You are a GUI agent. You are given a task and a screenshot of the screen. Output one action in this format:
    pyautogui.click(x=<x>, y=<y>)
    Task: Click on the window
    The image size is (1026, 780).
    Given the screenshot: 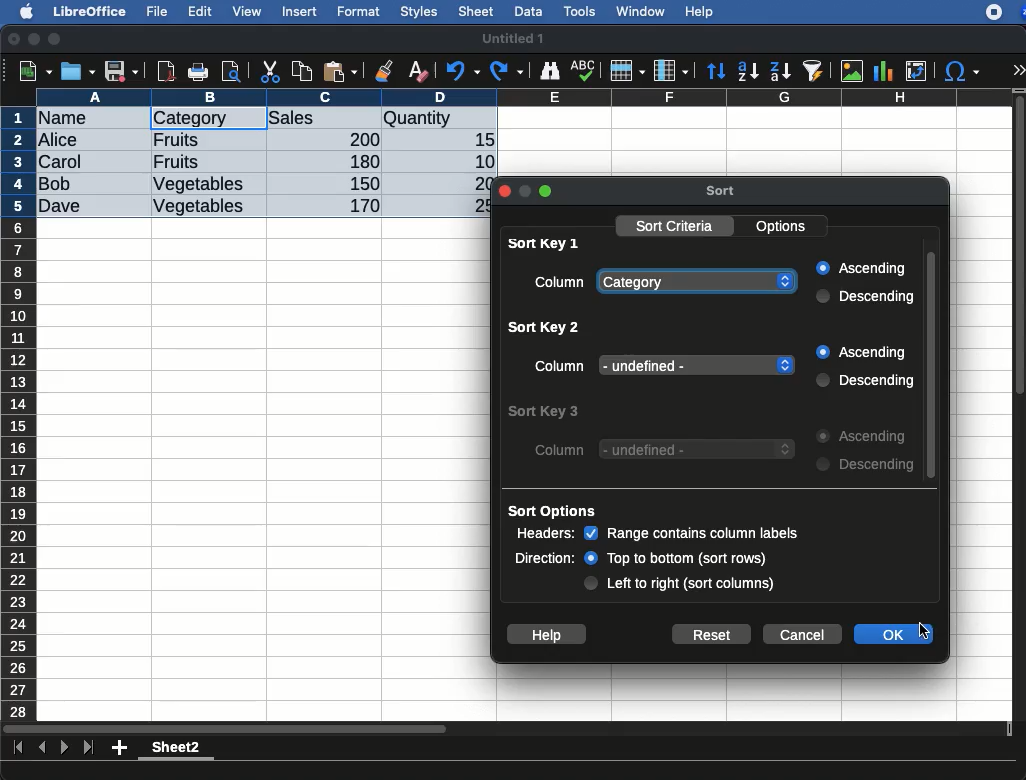 What is the action you would take?
    pyautogui.click(x=638, y=11)
    